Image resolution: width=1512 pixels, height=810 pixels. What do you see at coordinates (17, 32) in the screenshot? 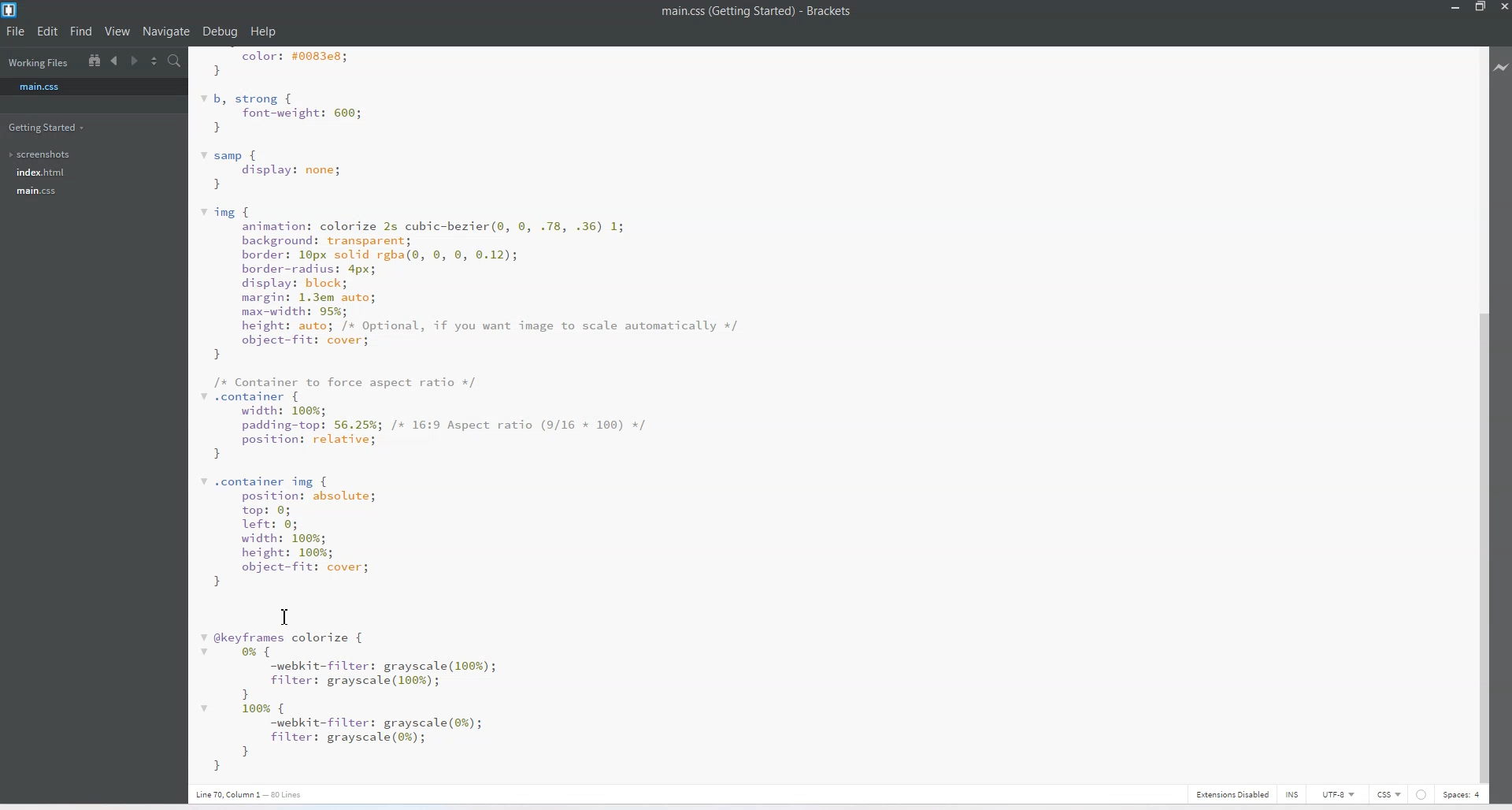
I see `File` at bounding box center [17, 32].